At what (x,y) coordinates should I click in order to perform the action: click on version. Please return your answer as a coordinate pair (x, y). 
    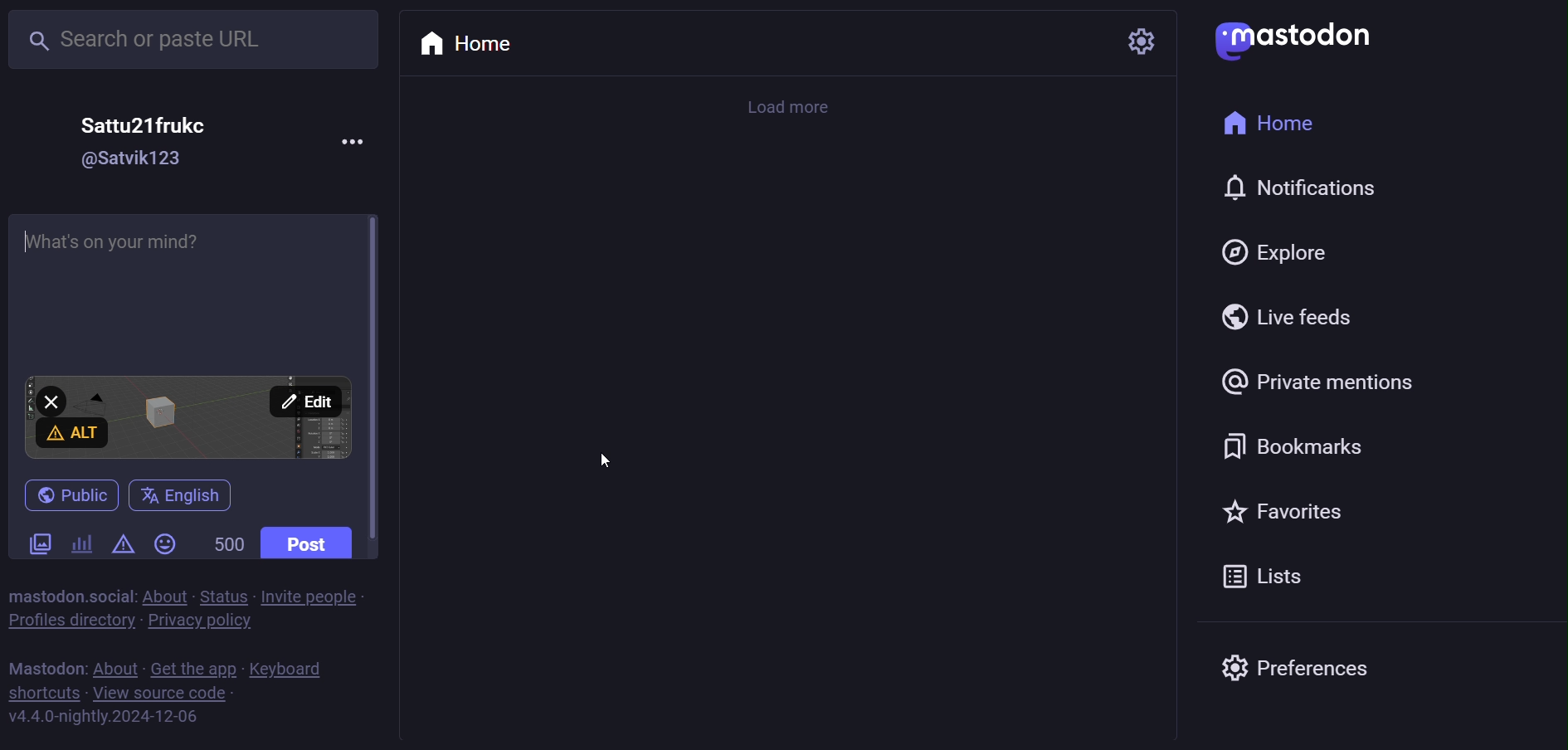
    Looking at the image, I should click on (100, 720).